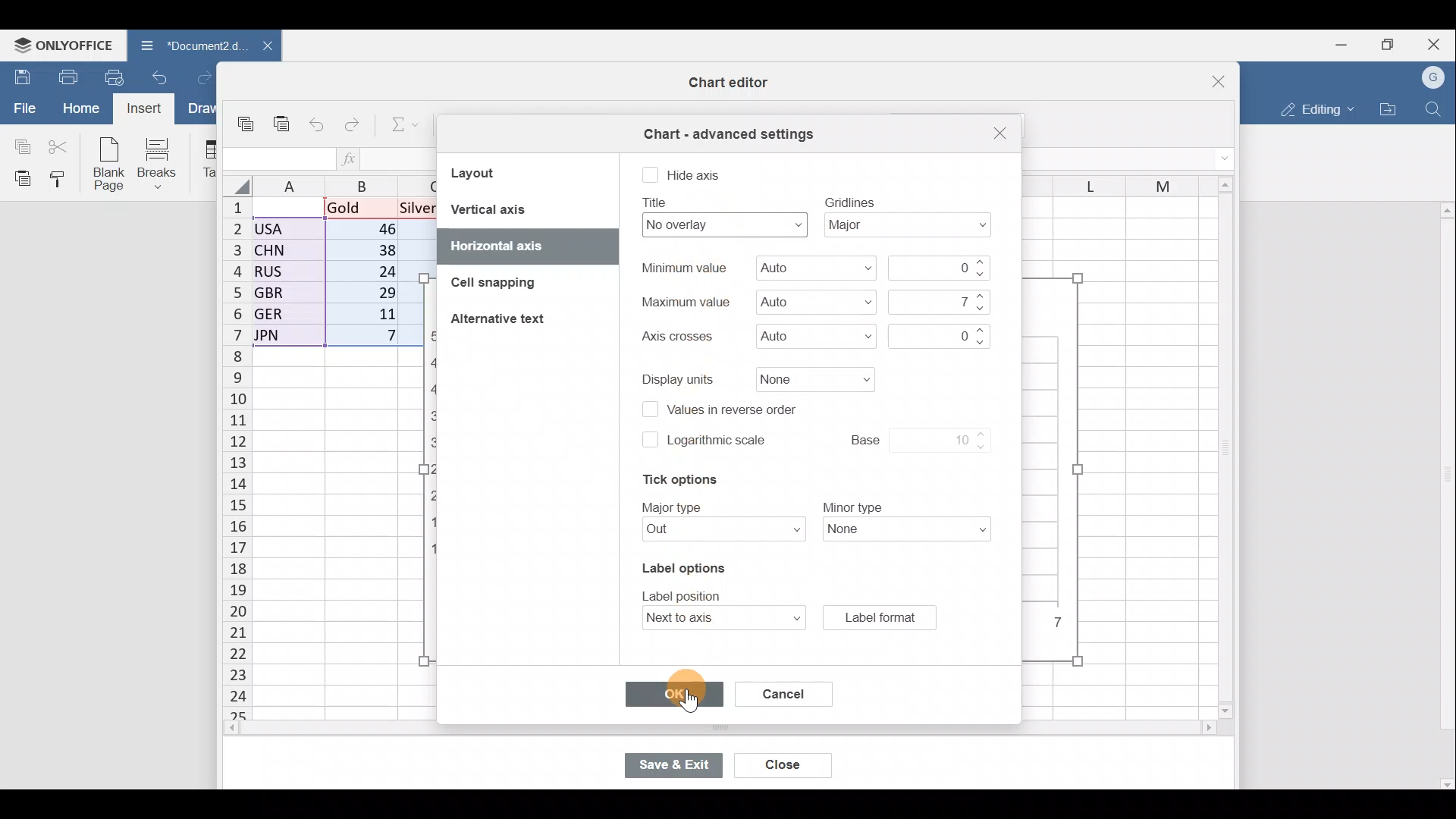  Describe the element at coordinates (397, 127) in the screenshot. I see `Summation` at that location.